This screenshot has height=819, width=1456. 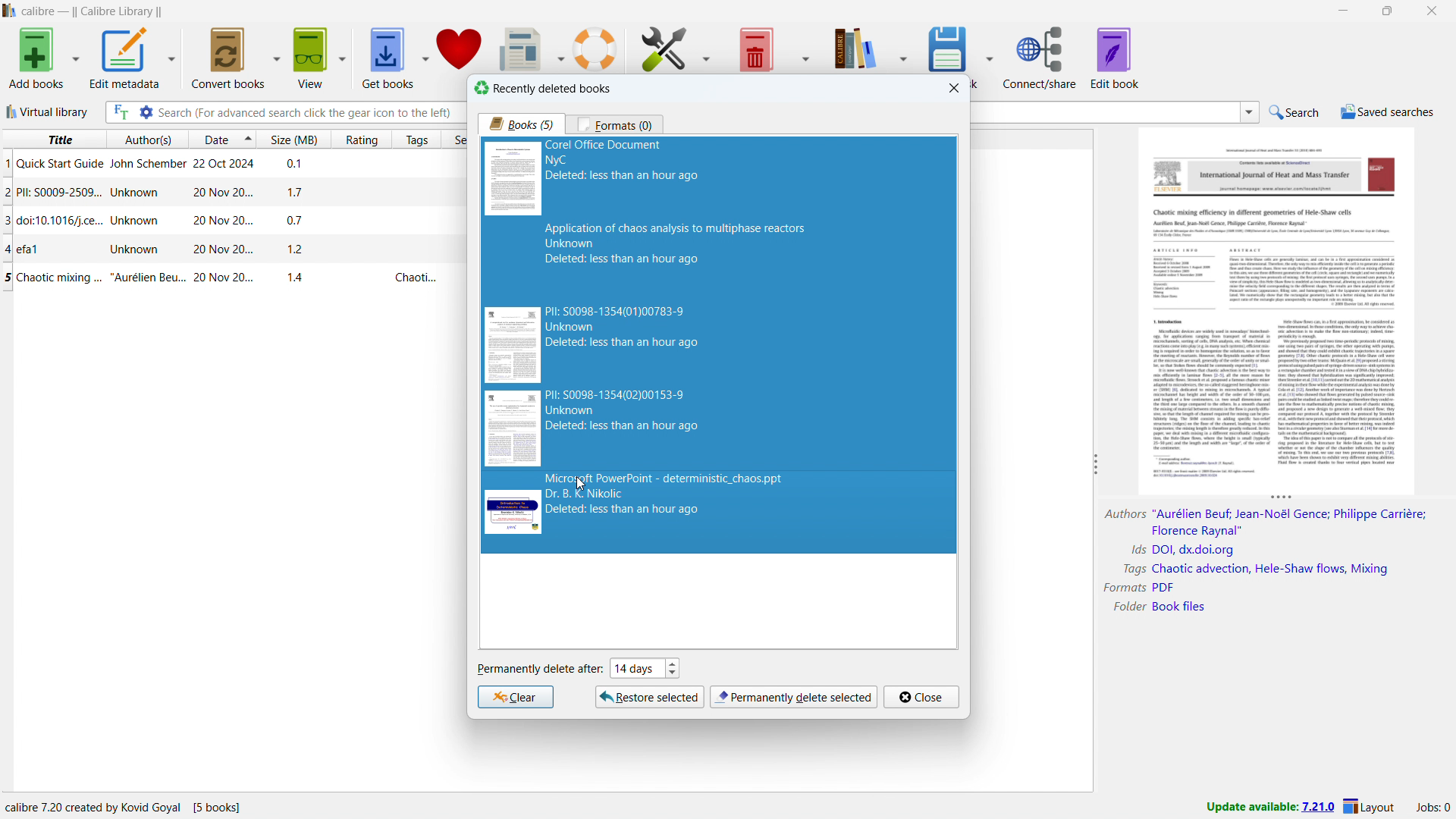 I want to click on select sorting order, so click(x=248, y=139).